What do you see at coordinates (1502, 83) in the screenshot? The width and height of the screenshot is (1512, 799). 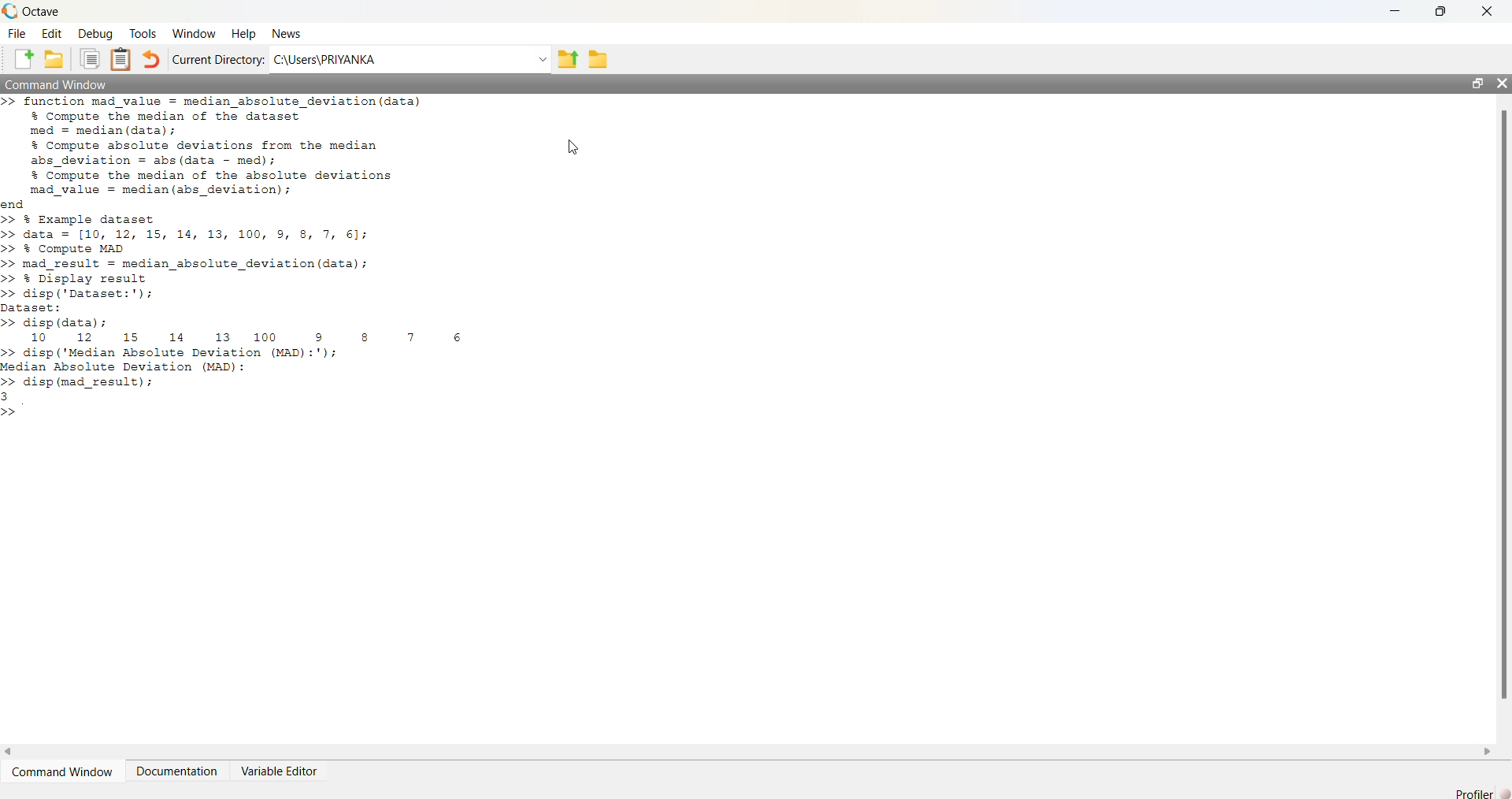 I see `close` at bounding box center [1502, 83].